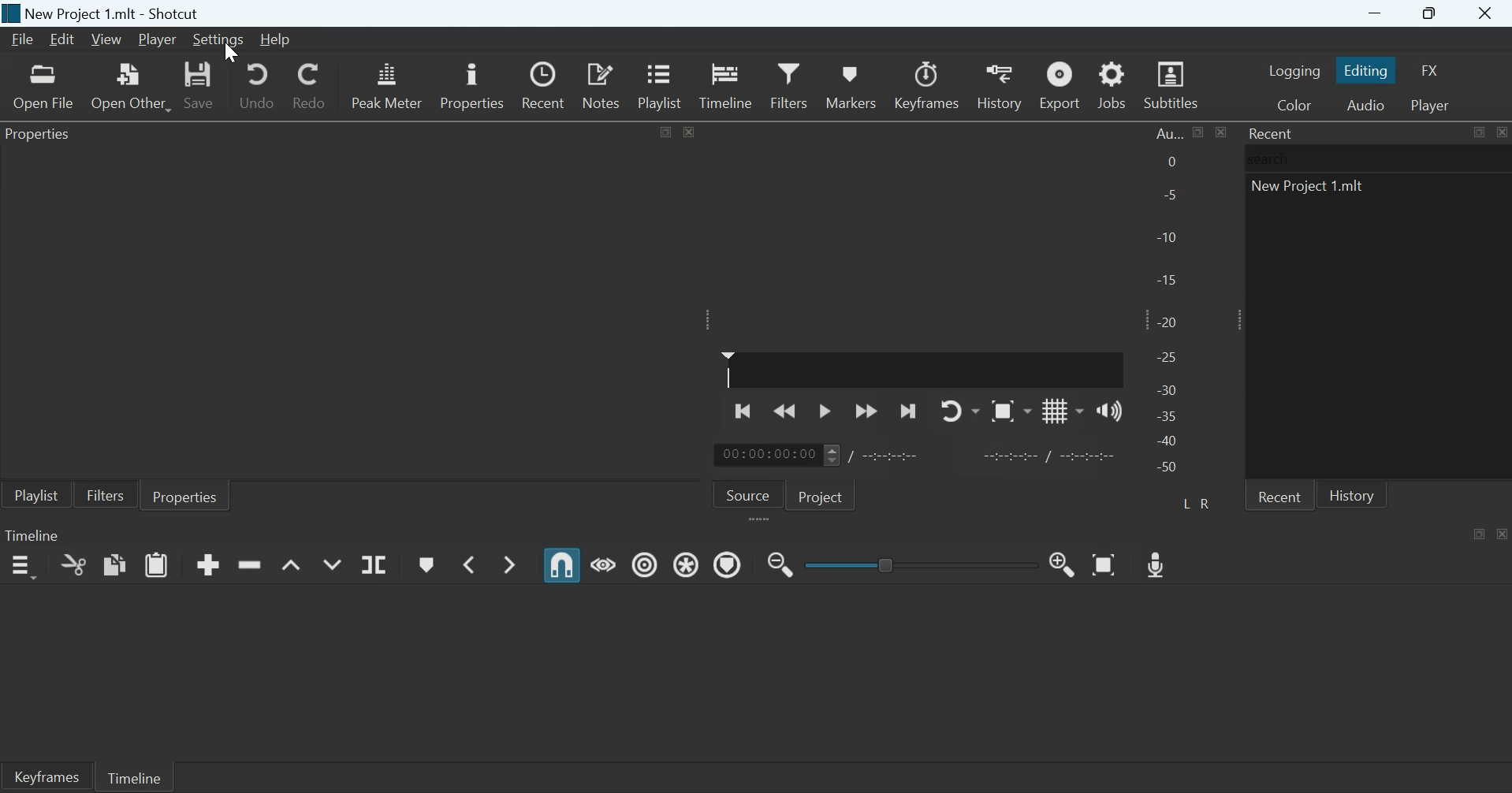 This screenshot has height=793, width=1512. Describe the element at coordinates (114, 13) in the screenshot. I see `New Project 1.mlt - Shotcut` at that location.